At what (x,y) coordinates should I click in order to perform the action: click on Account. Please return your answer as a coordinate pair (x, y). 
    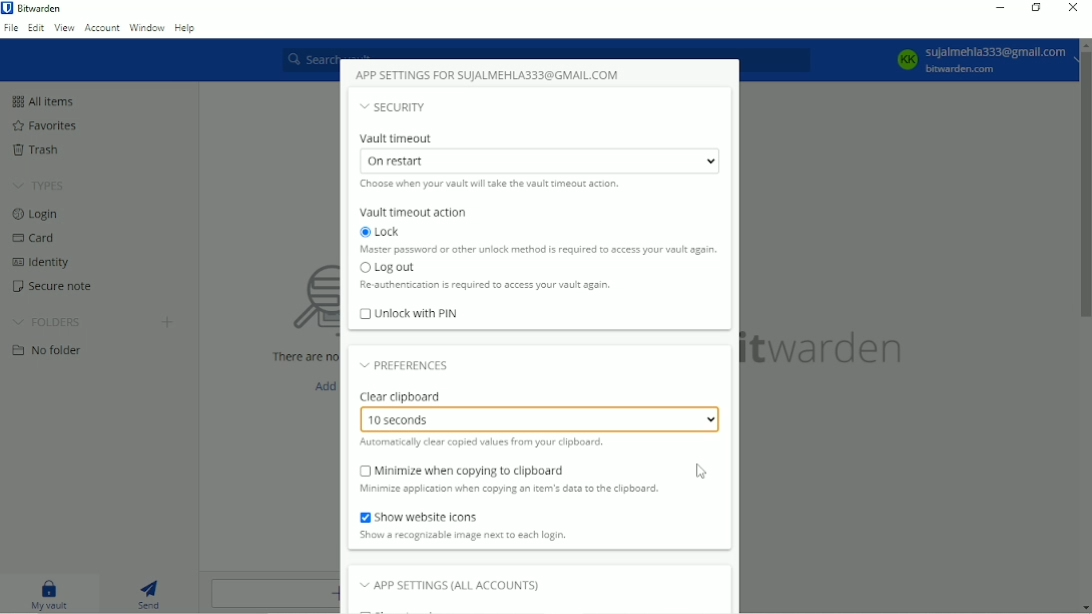
    Looking at the image, I should click on (980, 61).